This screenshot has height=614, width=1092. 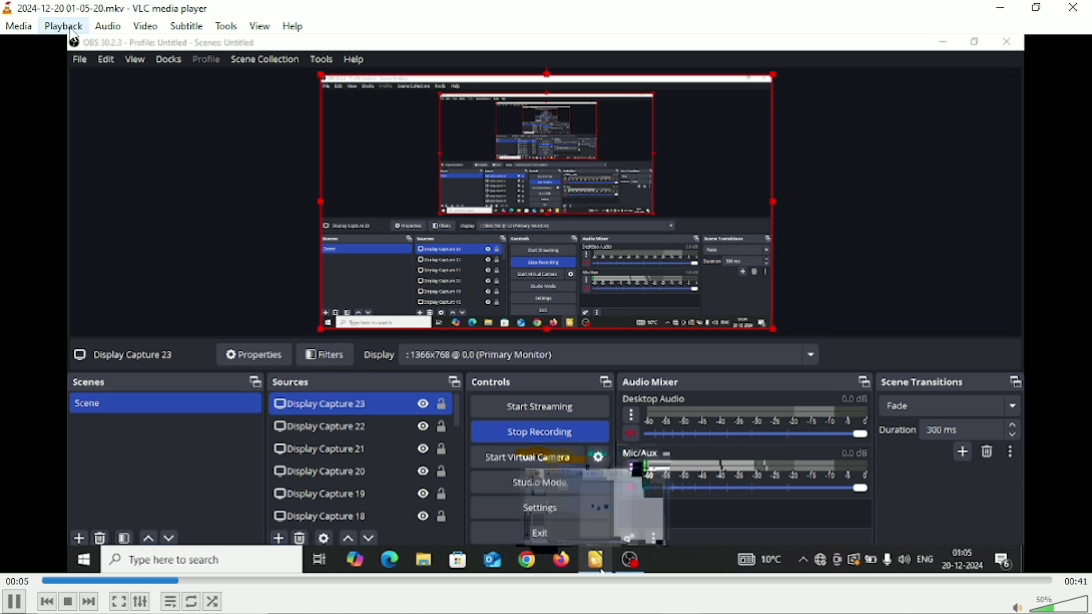 What do you see at coordinates (1002, 8) in the screenshot?
I see `Minimize` at bounding box center [1002, 8].